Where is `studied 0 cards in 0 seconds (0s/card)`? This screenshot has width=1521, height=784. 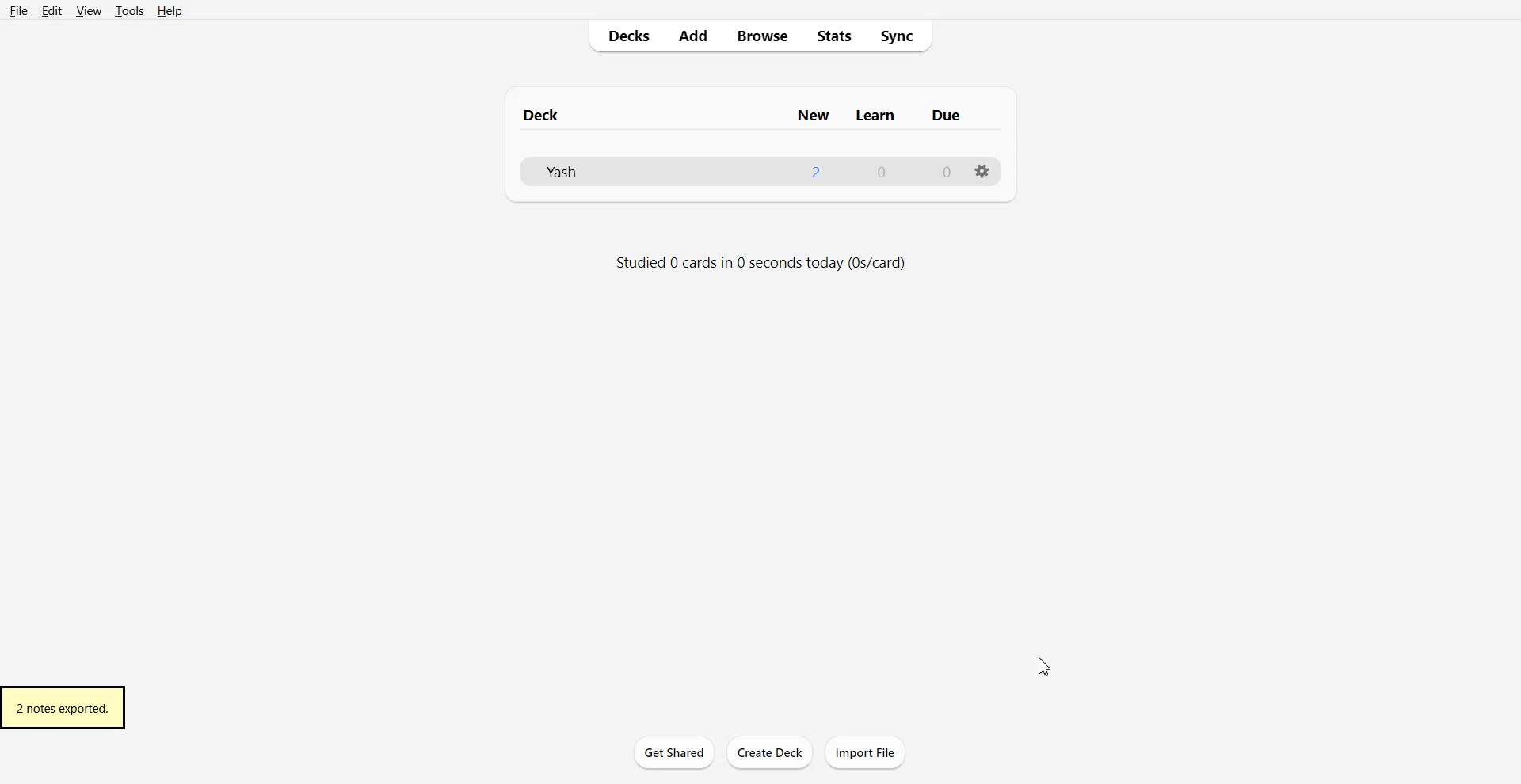
studied 0 cards in 0 seconds (0s/card) is located at coordinates (760, 263).